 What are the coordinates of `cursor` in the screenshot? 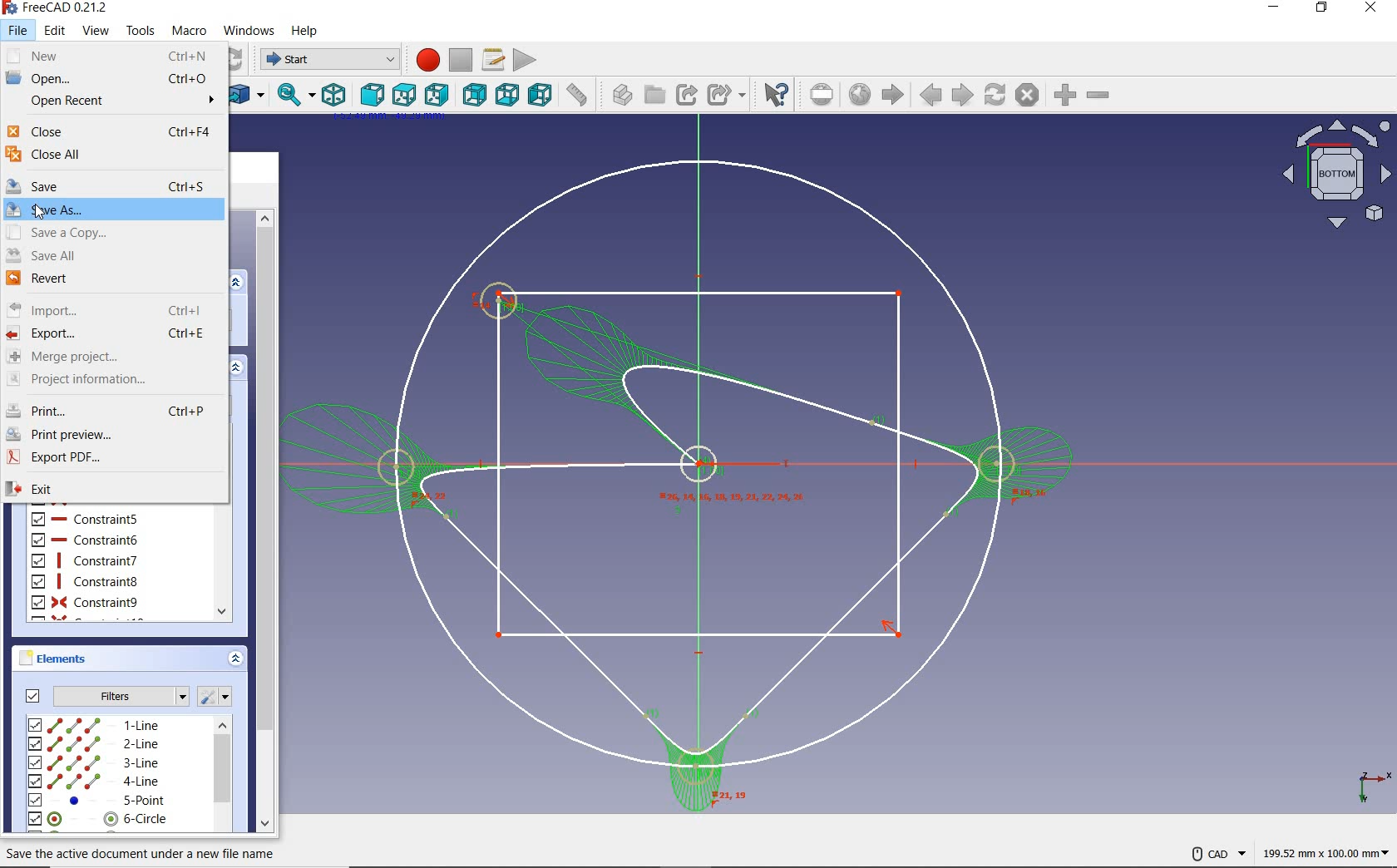 It's located at (41, 211).